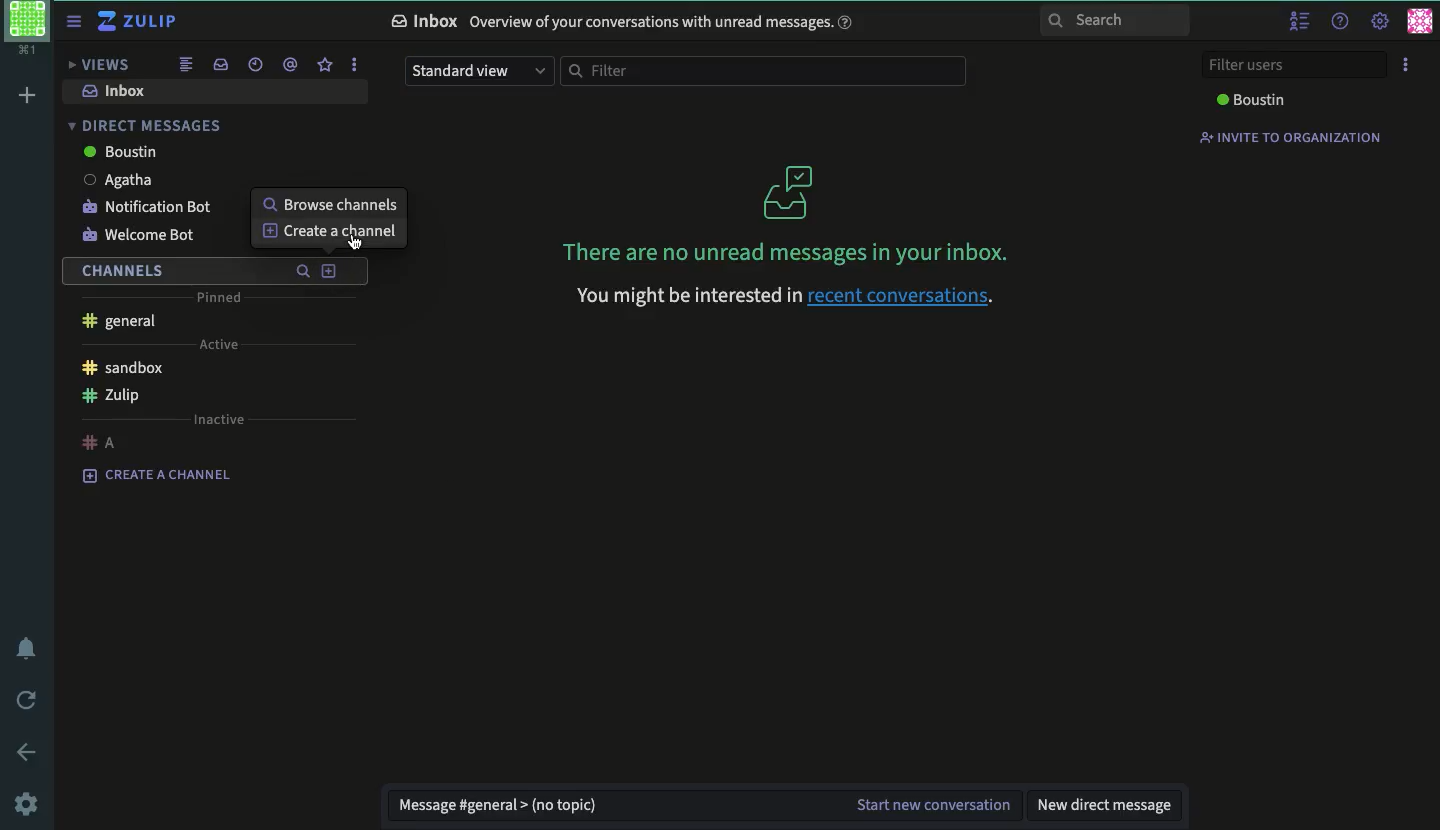 The height and width of the screenshot is (830, 1440). Describe the element at coordinates (1251, 100) in the screenshot. I see `boustin` at that location.